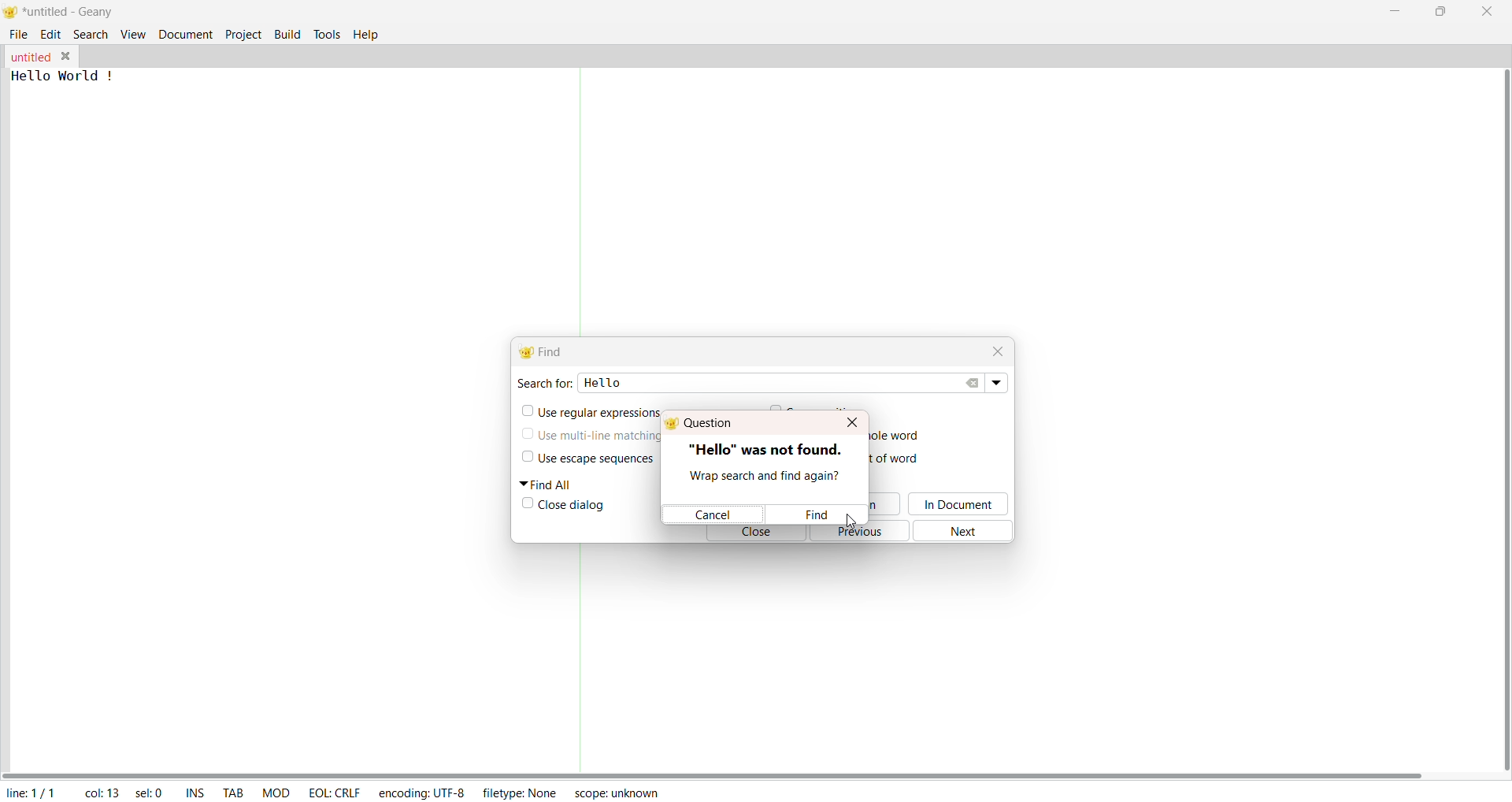 The height and width of the screenshot is (802, 1512). Describe the element at coordinates (865, 533) in the screenshot. I see `Previous` at that location.